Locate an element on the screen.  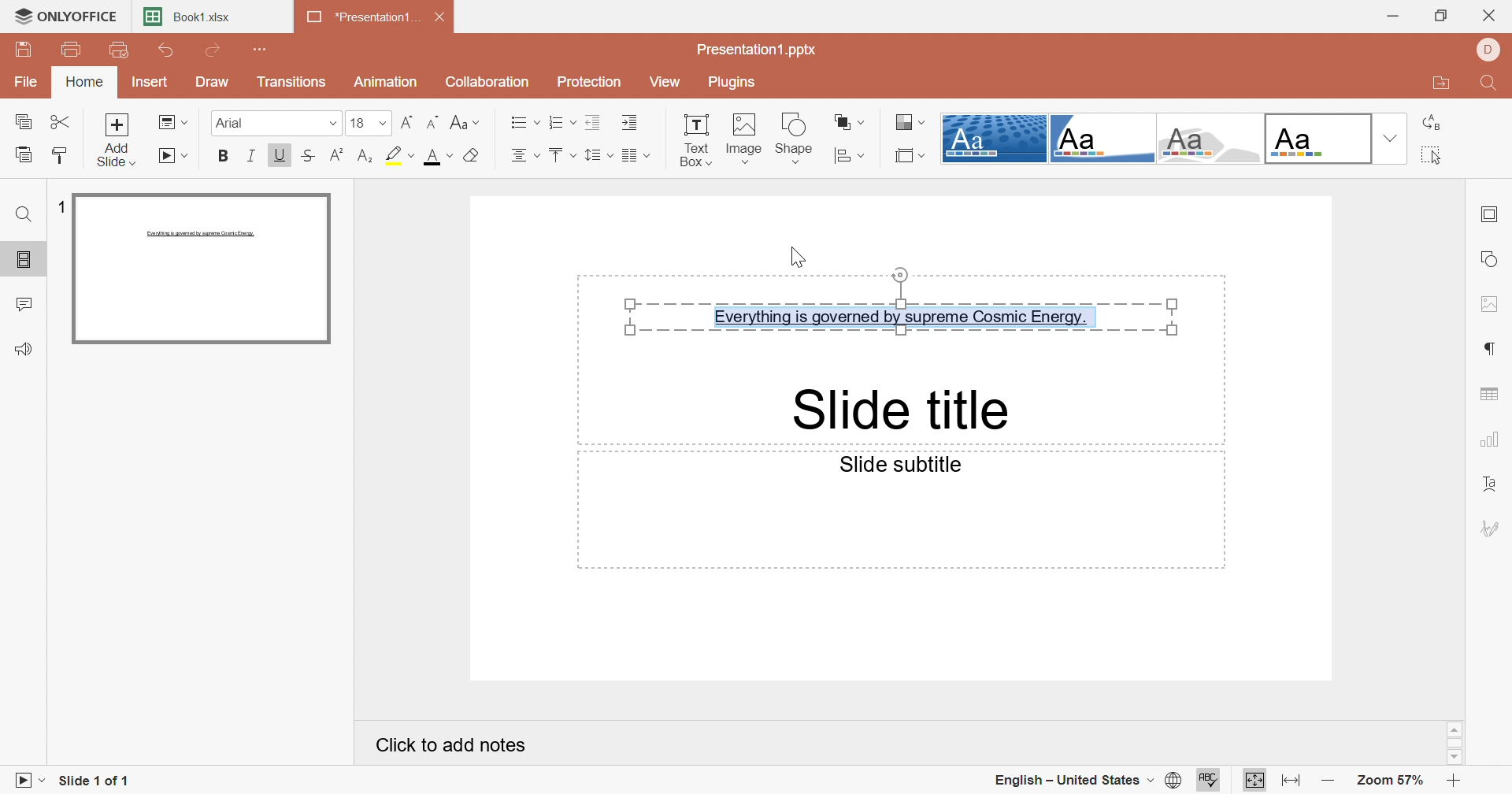
Arrange shape is located at coordinates (849, 120).